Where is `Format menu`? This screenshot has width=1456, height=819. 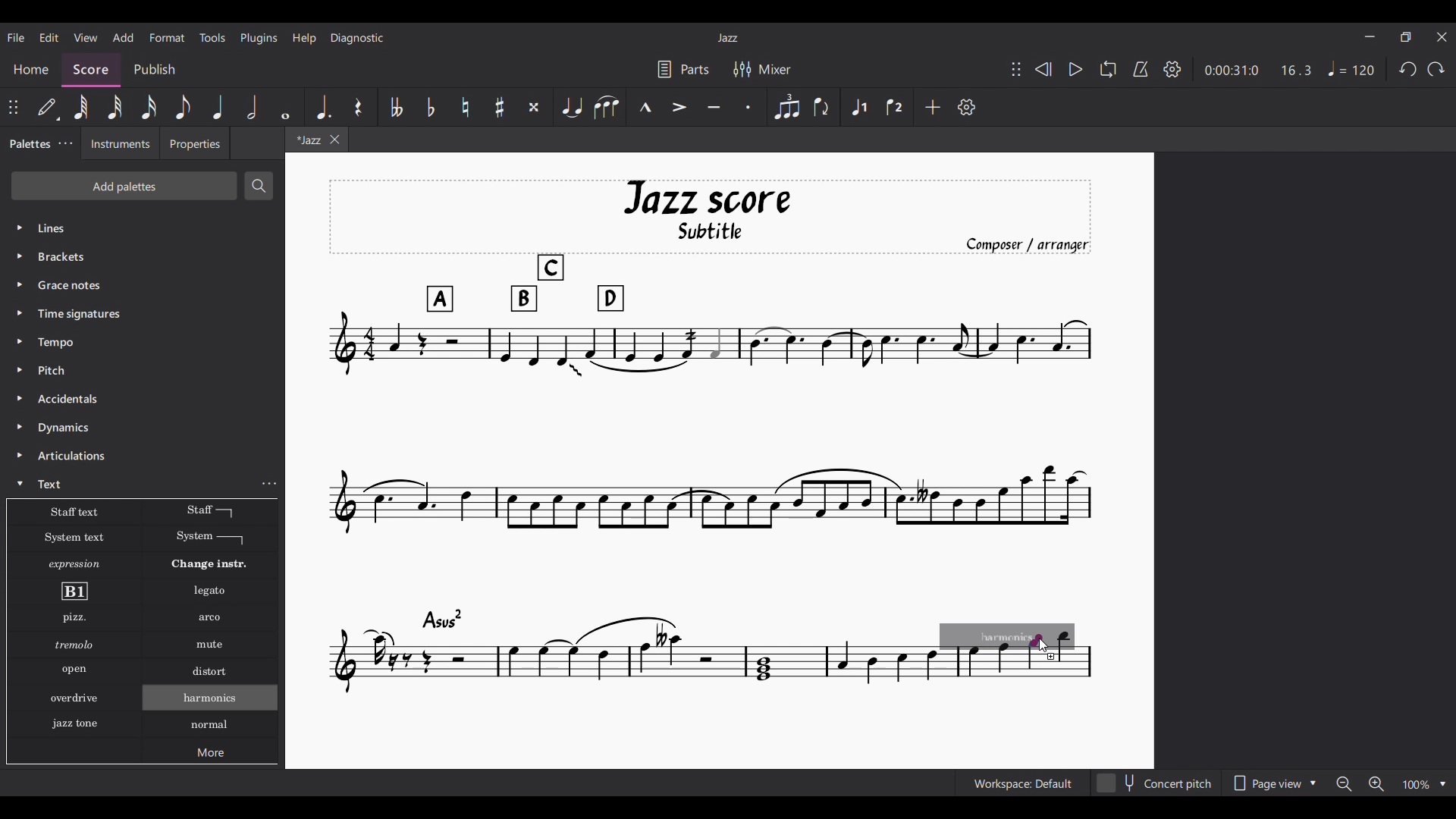
Format menu is located at coordinates (168, 38).